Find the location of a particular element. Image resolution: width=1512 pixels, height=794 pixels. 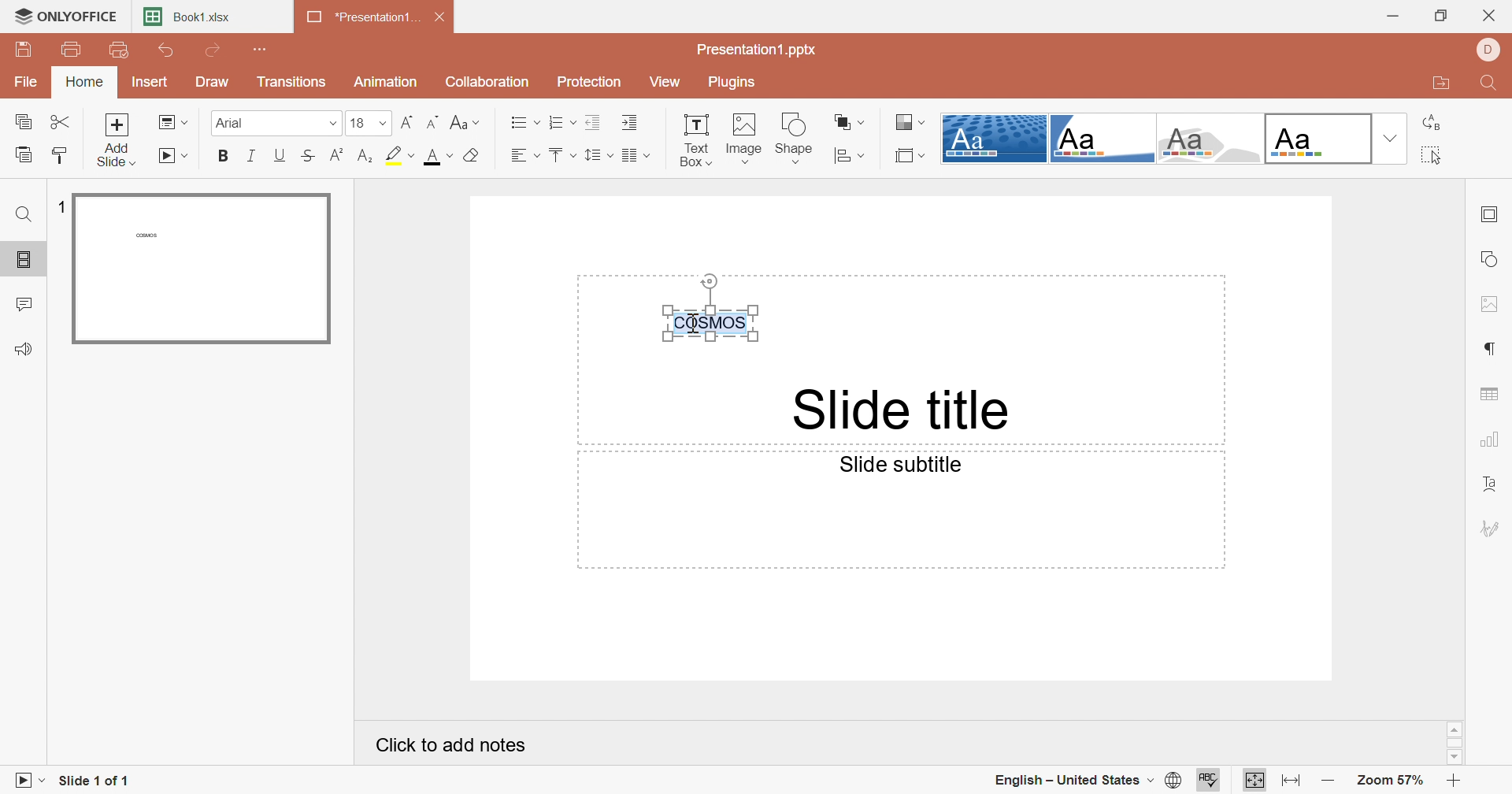

Comments is located at coordinates (22, 302).